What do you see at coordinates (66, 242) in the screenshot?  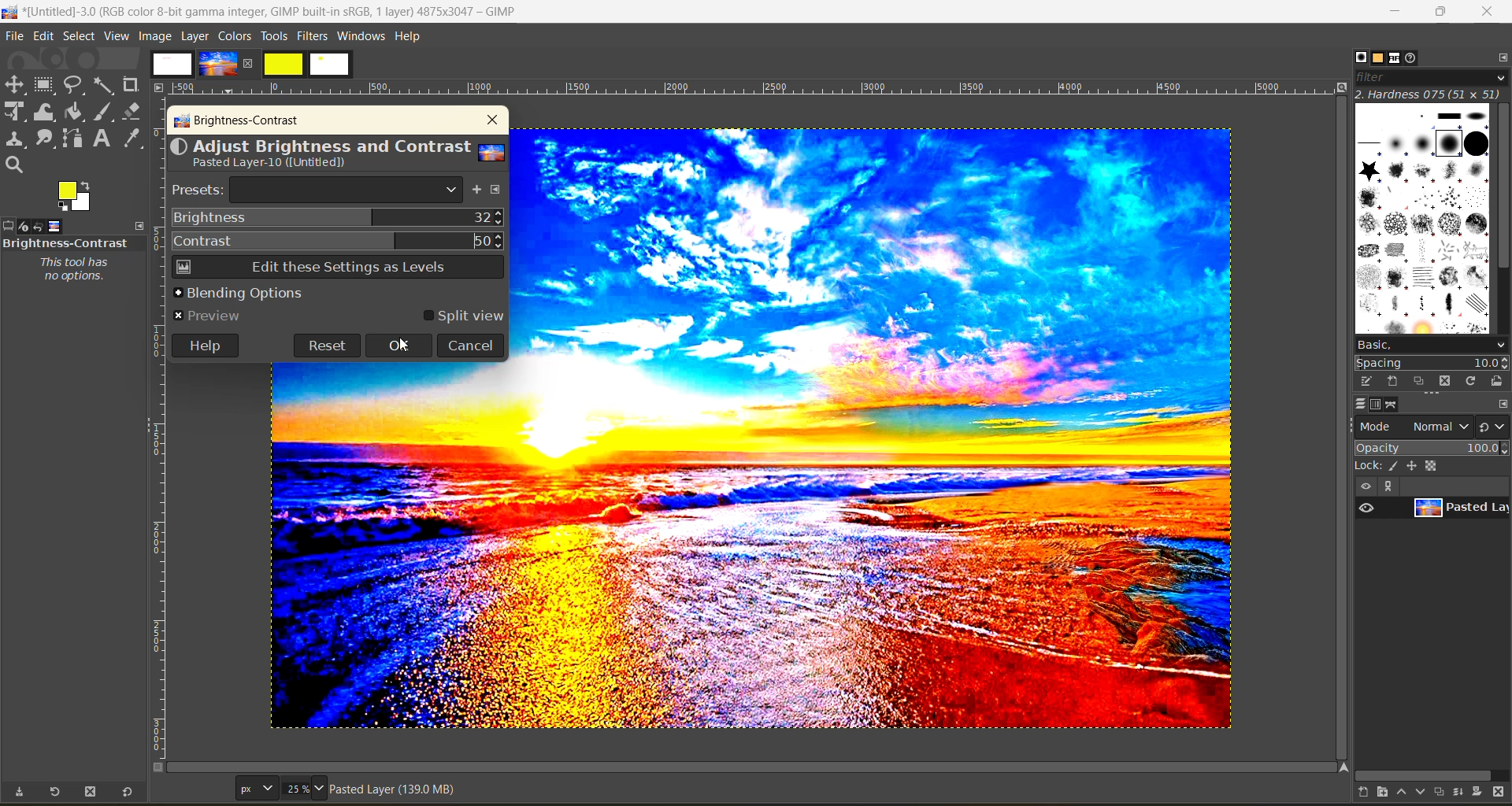 I see `Brightness and contrast` at bounding box center [66, 242].